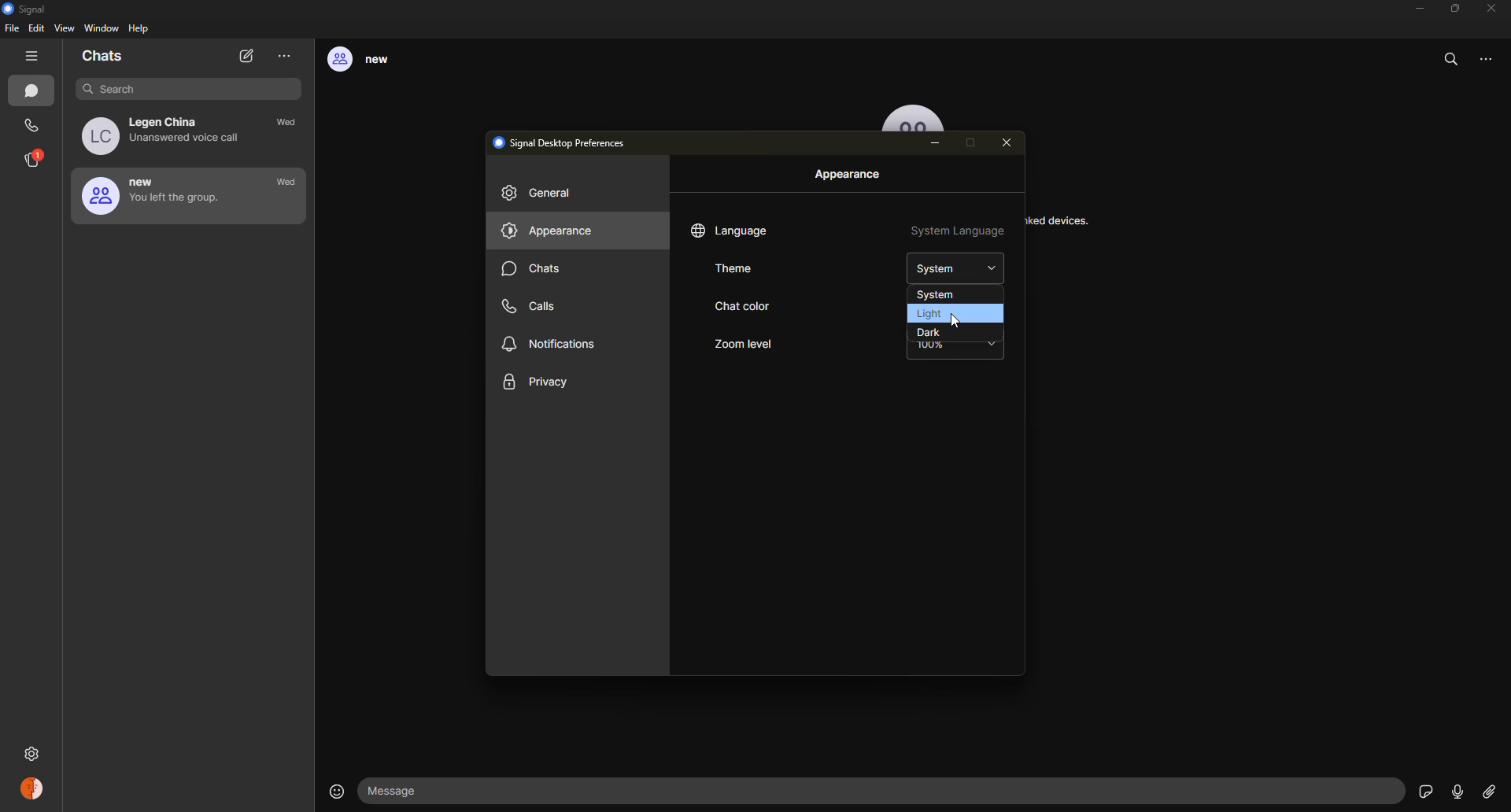 This screenshot has width=1511, height=812. Describe the element at coordinates (537, 383) in the screenshot. I see `privacy` at that location.